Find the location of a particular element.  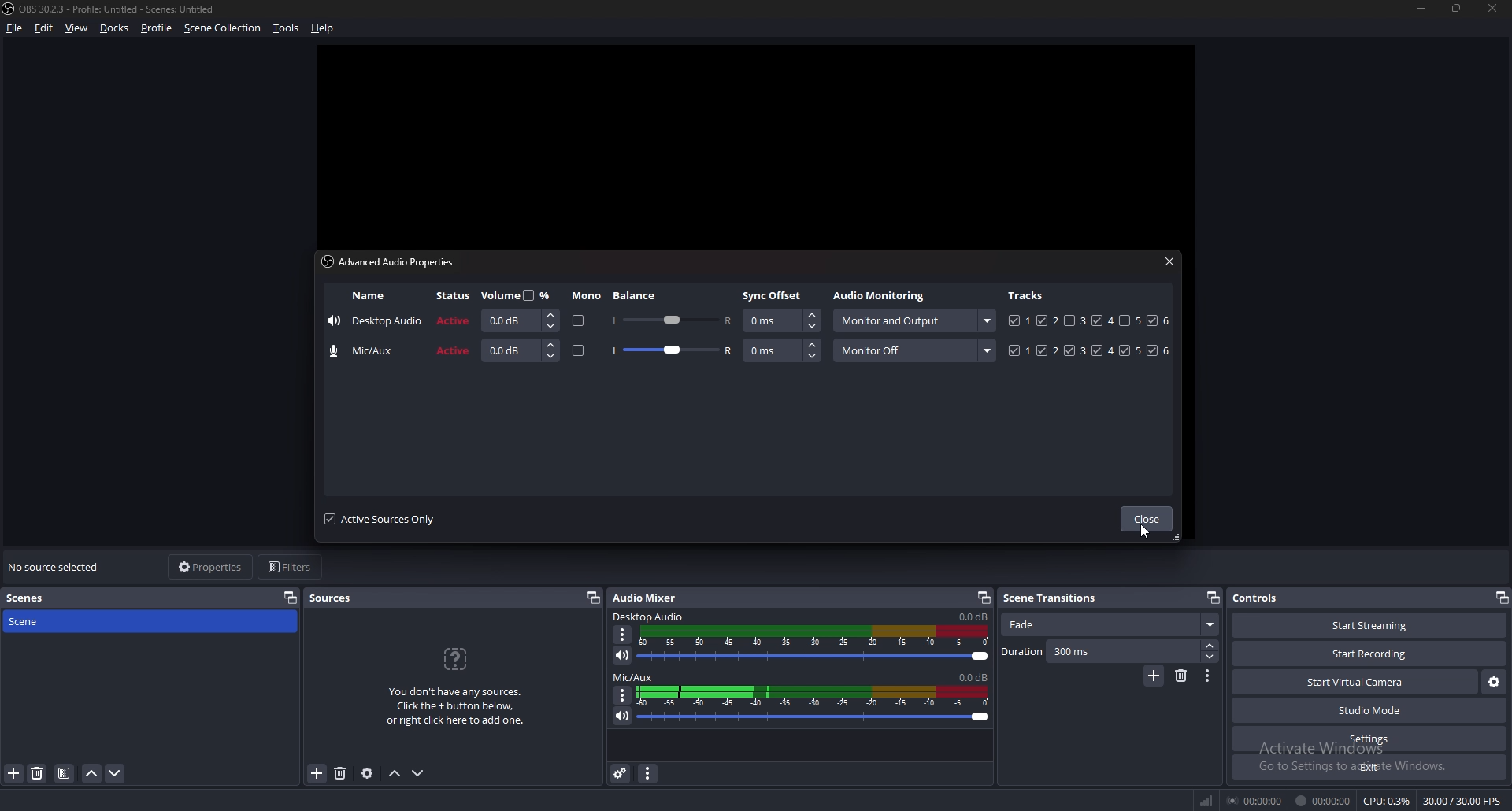

delete scene is located at coordinates (39, 774).